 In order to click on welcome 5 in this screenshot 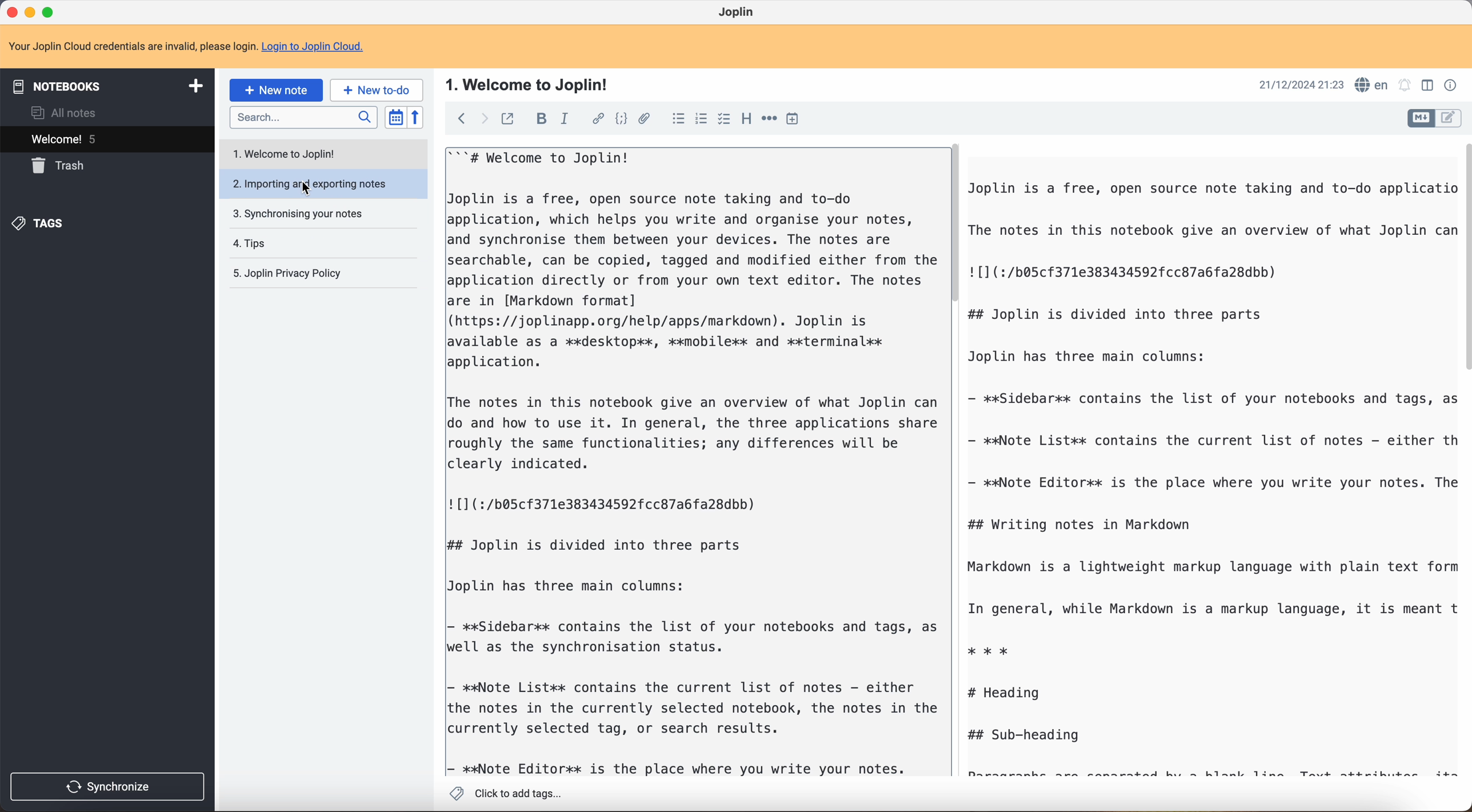, I will do `click(106, 139)`.